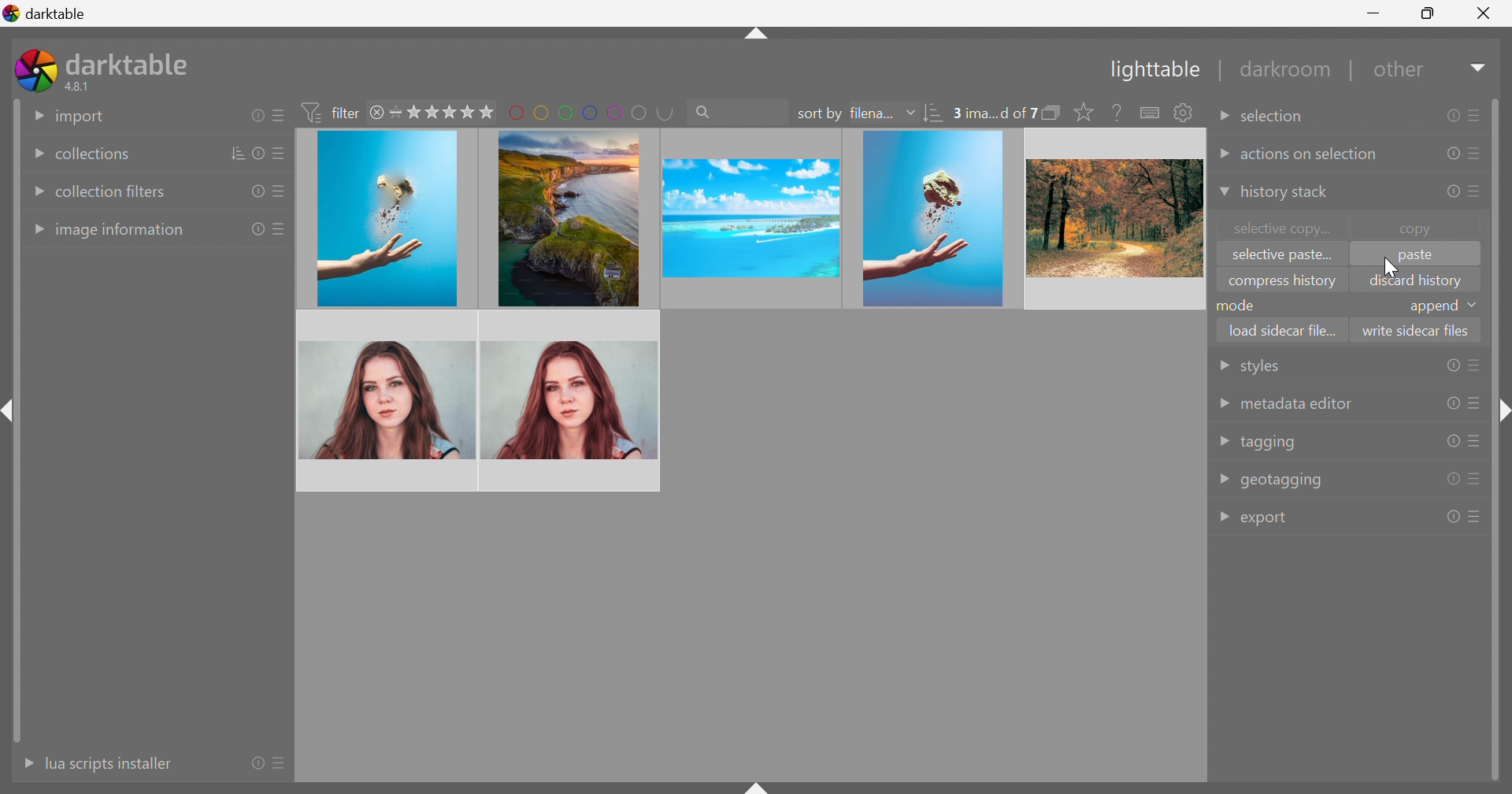 The width and height of the screenshot is (1512, 794). I want to click on Drop Down, so click(1224, 477).